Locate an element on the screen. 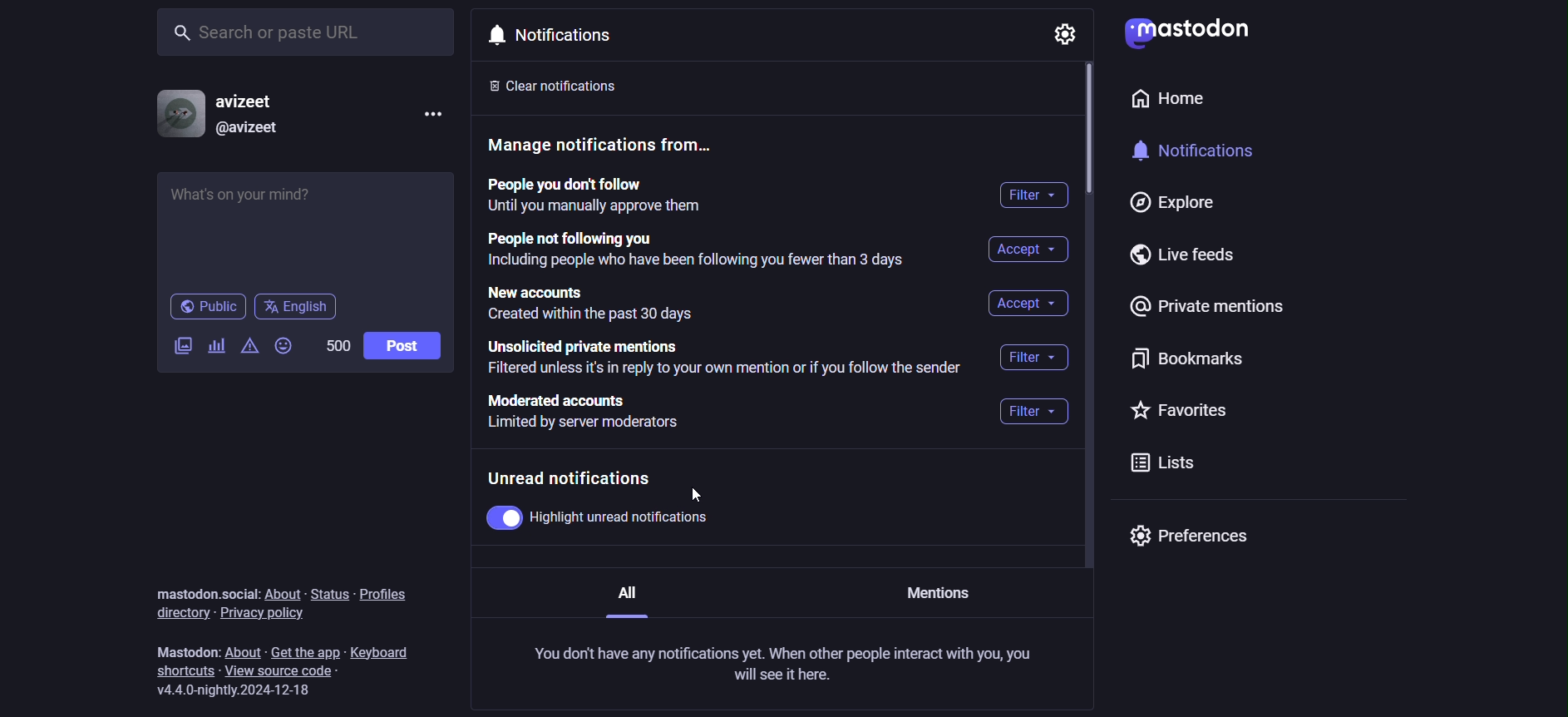  explore is located at coordinates (1172, 203).